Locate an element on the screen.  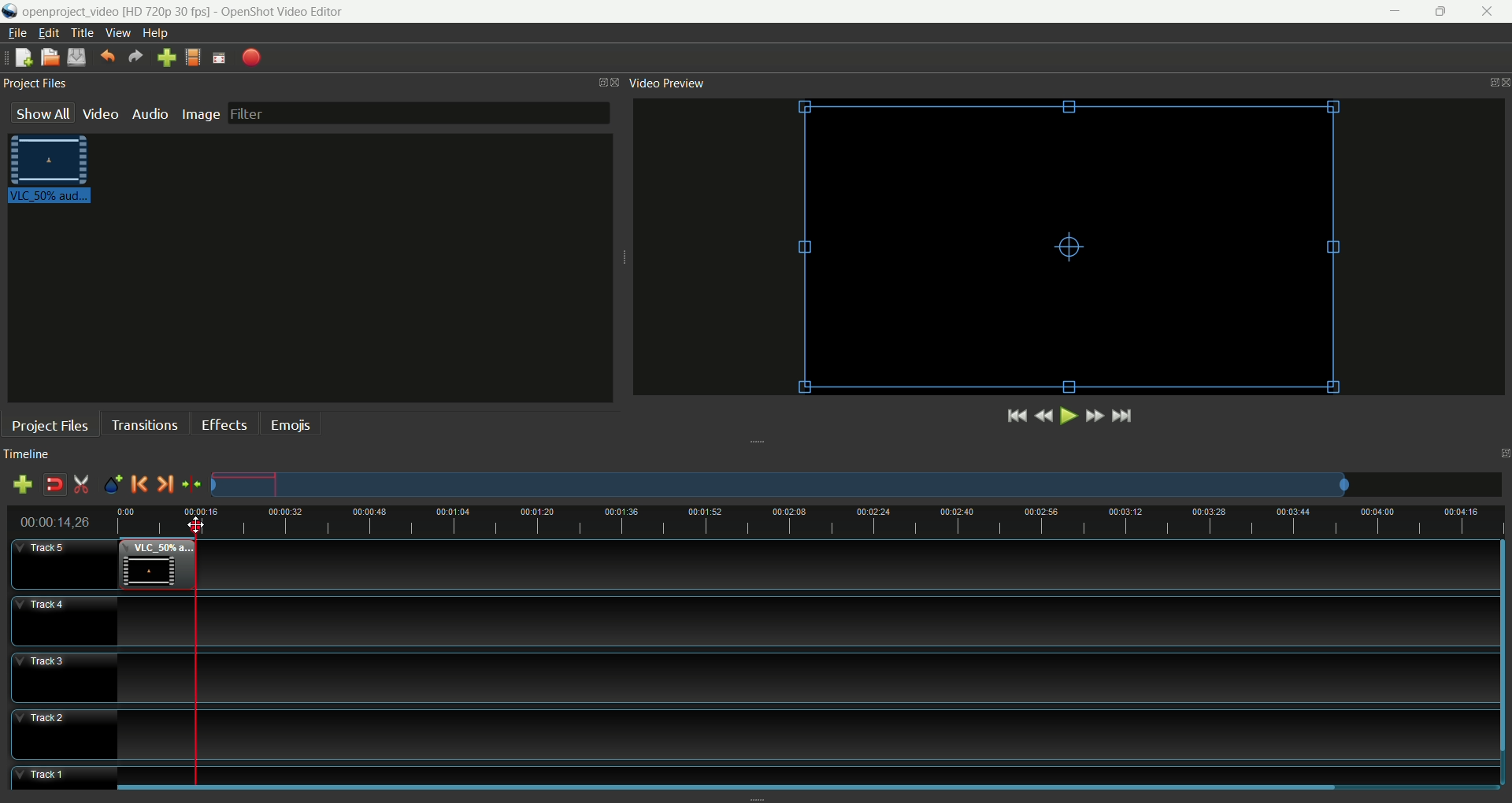
next marker is located at coordinates (165, 485).